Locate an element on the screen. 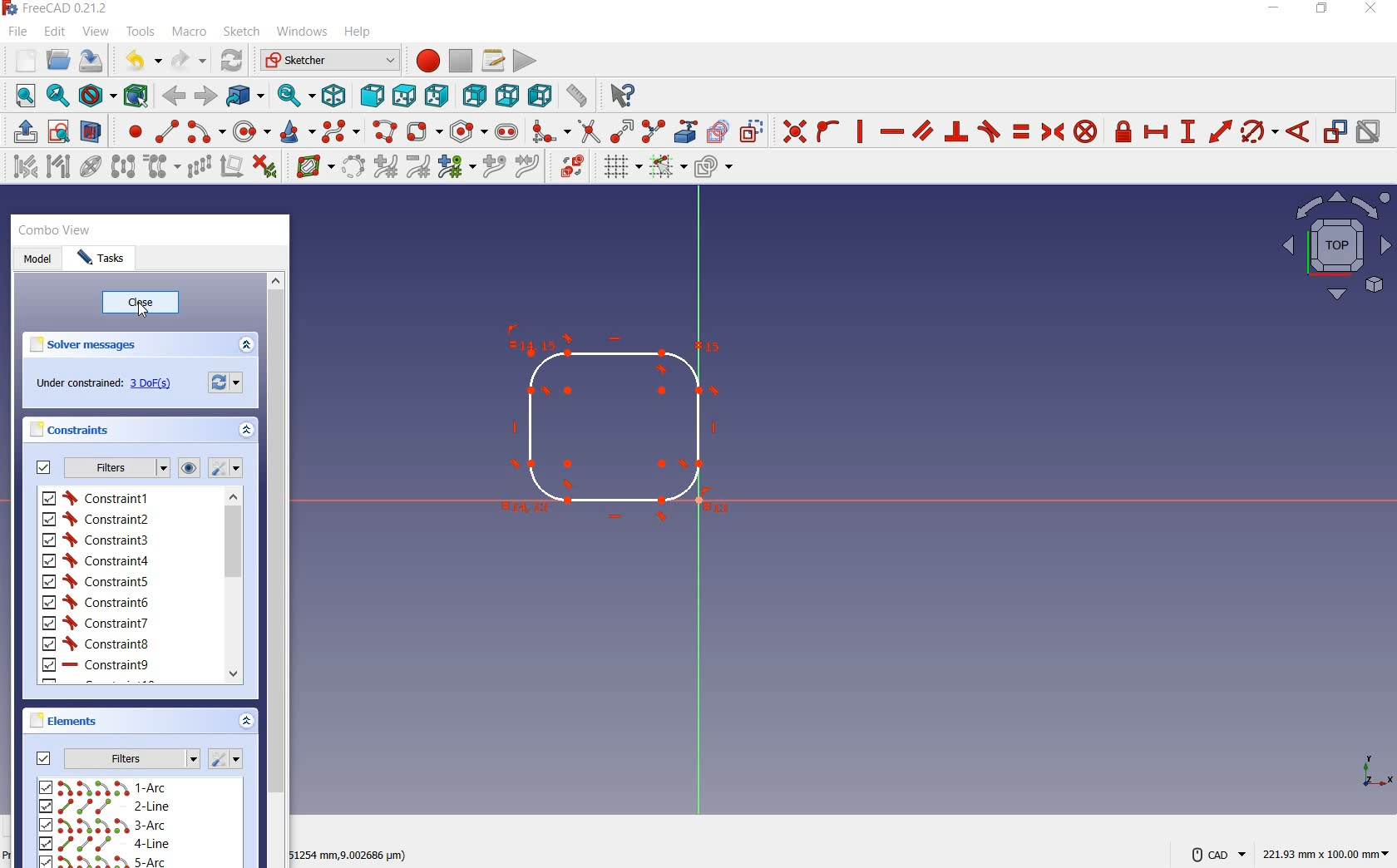 The height and width of the screenshot is (868, 1397). arcs and lines used is located at coordinates (116, 823).